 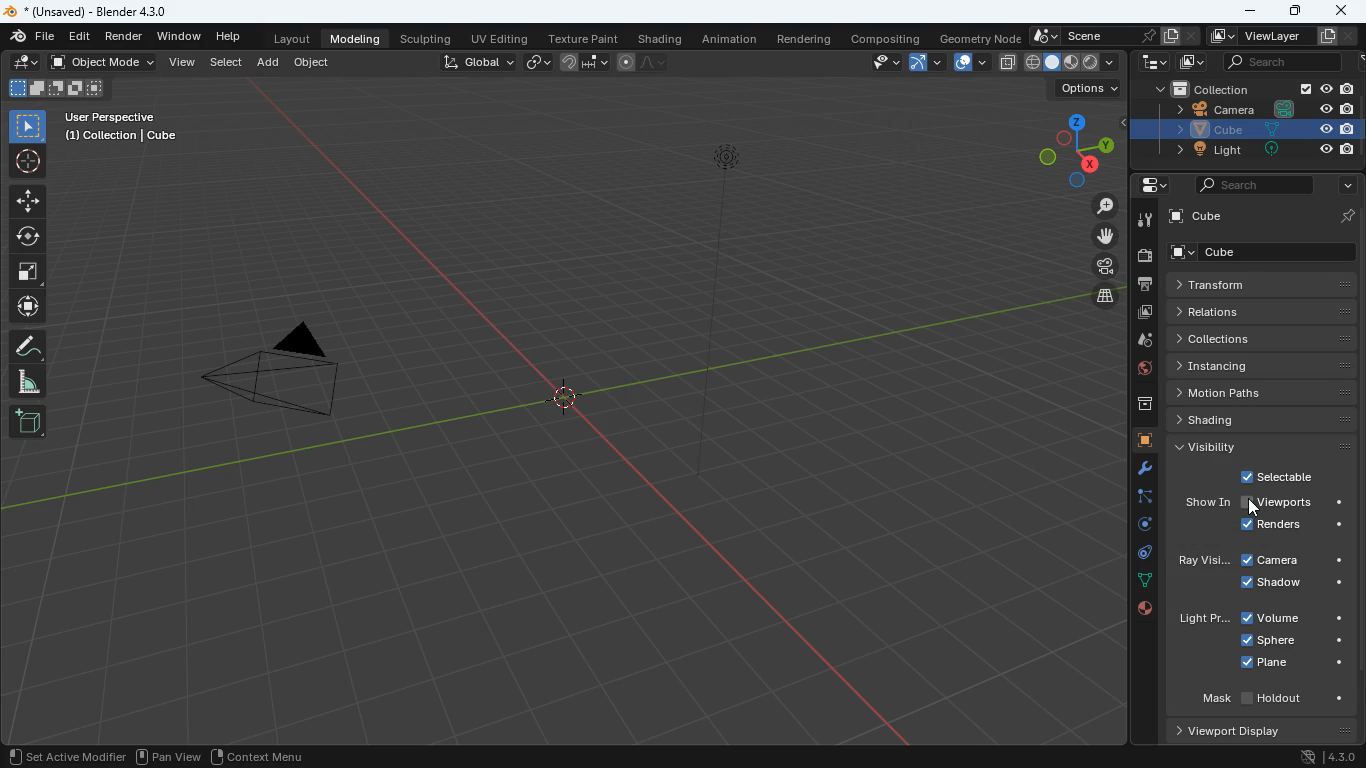 I want to click on camera, so click(x=279, y=377).